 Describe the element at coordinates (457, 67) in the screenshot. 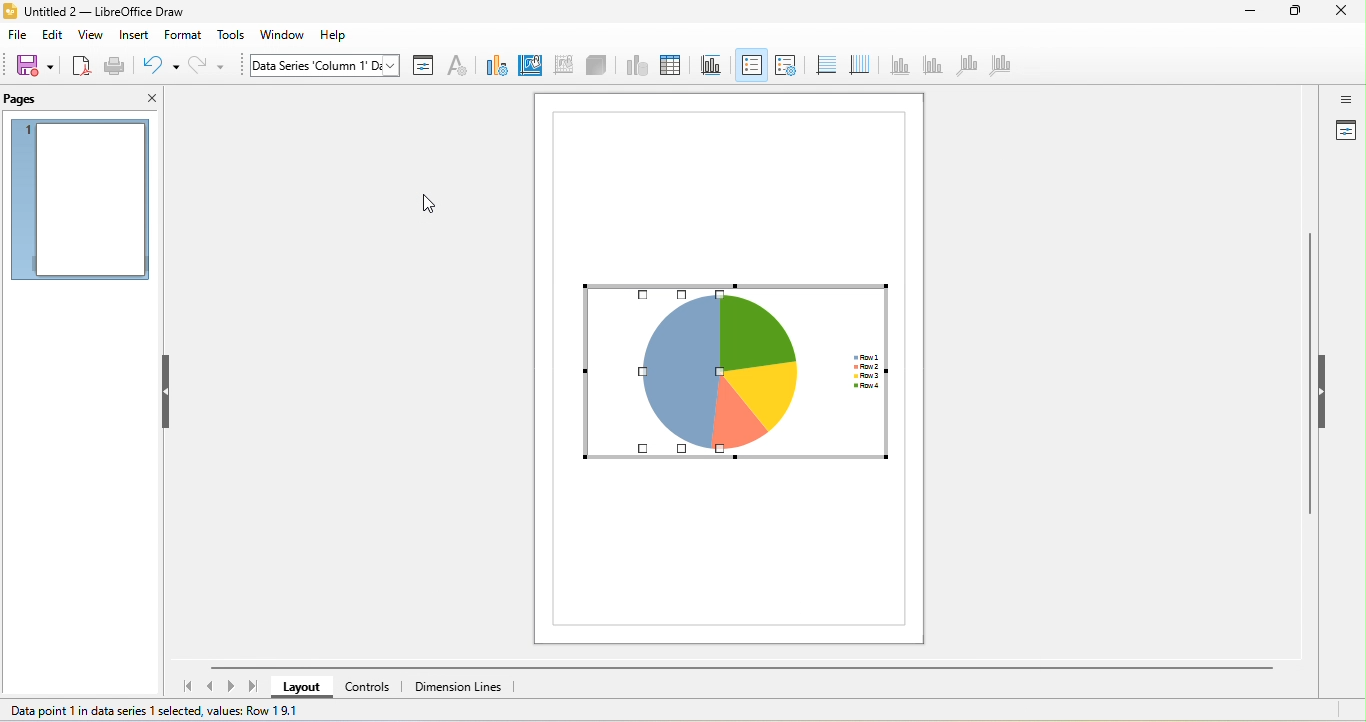

I see `character` at that location.